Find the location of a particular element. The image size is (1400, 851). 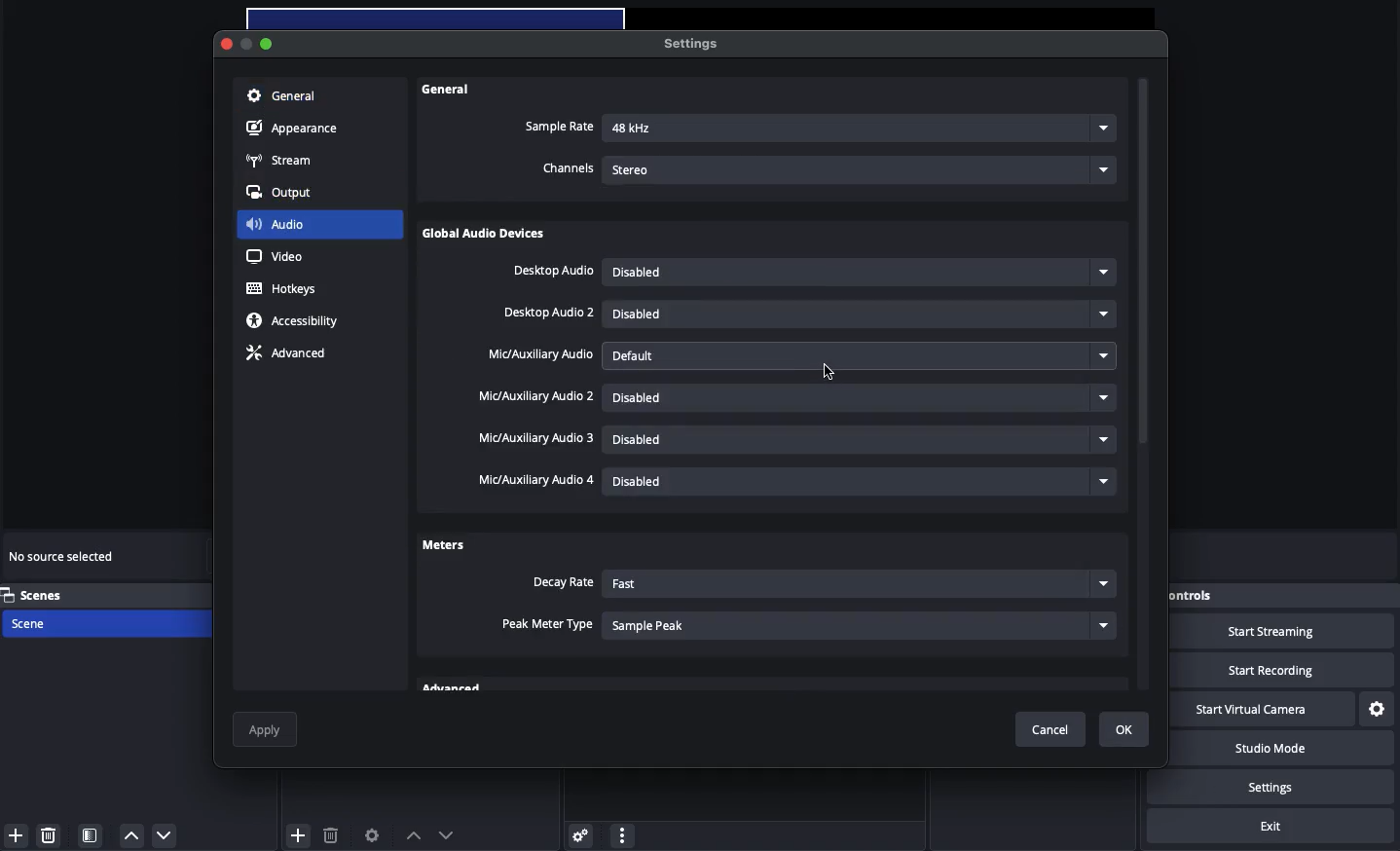

Settings is located at coordinates (1378, 710).